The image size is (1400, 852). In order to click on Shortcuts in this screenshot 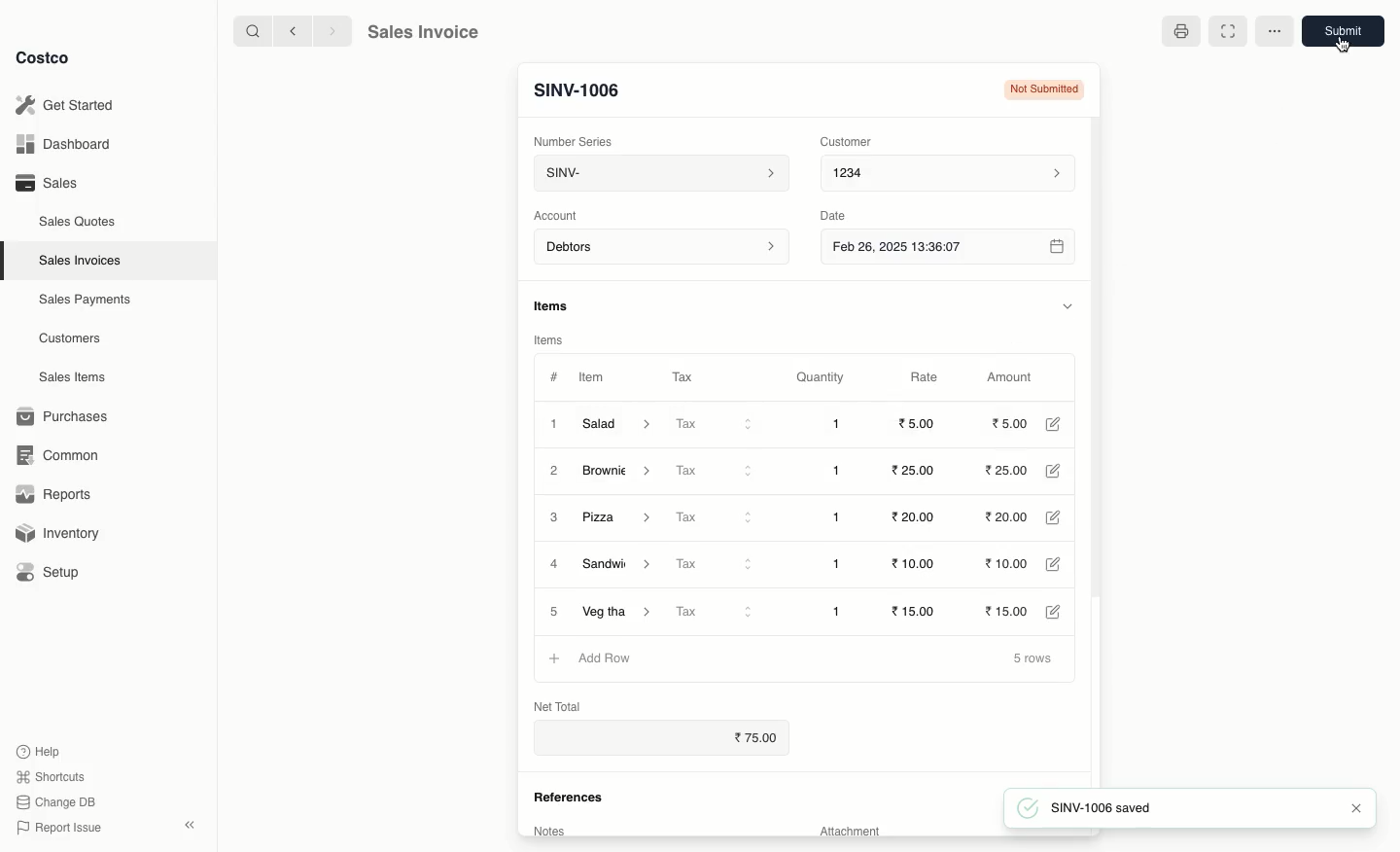, I will do `click(50, 777)`.